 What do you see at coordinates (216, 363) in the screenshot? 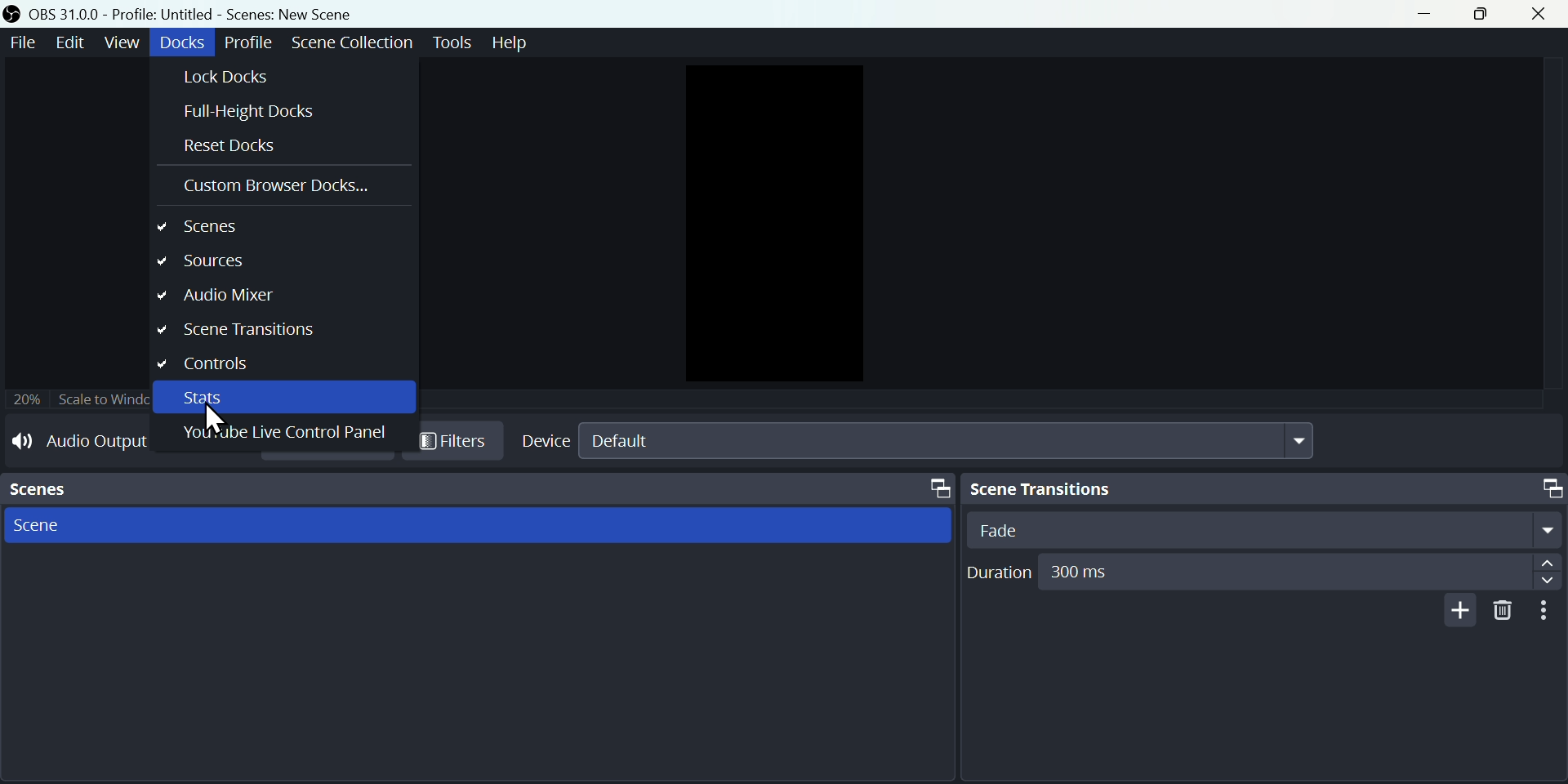
I see `controls` at bounding box center [216, 363].